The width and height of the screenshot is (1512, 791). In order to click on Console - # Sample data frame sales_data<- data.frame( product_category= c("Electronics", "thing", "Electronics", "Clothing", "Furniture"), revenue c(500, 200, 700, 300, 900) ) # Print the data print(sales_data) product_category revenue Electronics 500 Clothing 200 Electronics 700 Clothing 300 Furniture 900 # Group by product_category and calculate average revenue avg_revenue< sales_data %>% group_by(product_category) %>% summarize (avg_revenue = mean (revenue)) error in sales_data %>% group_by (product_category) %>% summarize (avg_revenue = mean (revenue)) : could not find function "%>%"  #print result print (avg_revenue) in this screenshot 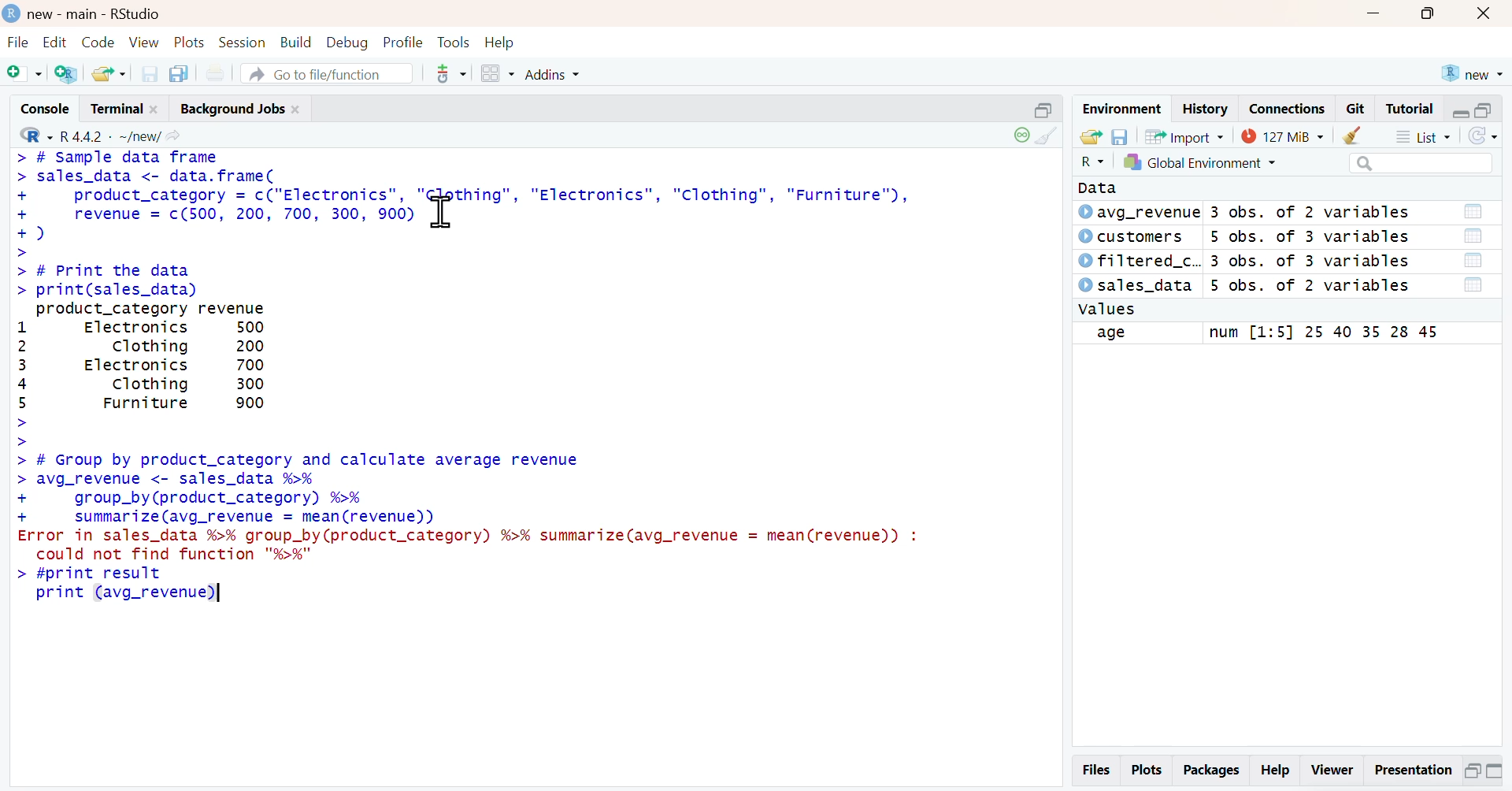, I will do `click(535, 381)`.